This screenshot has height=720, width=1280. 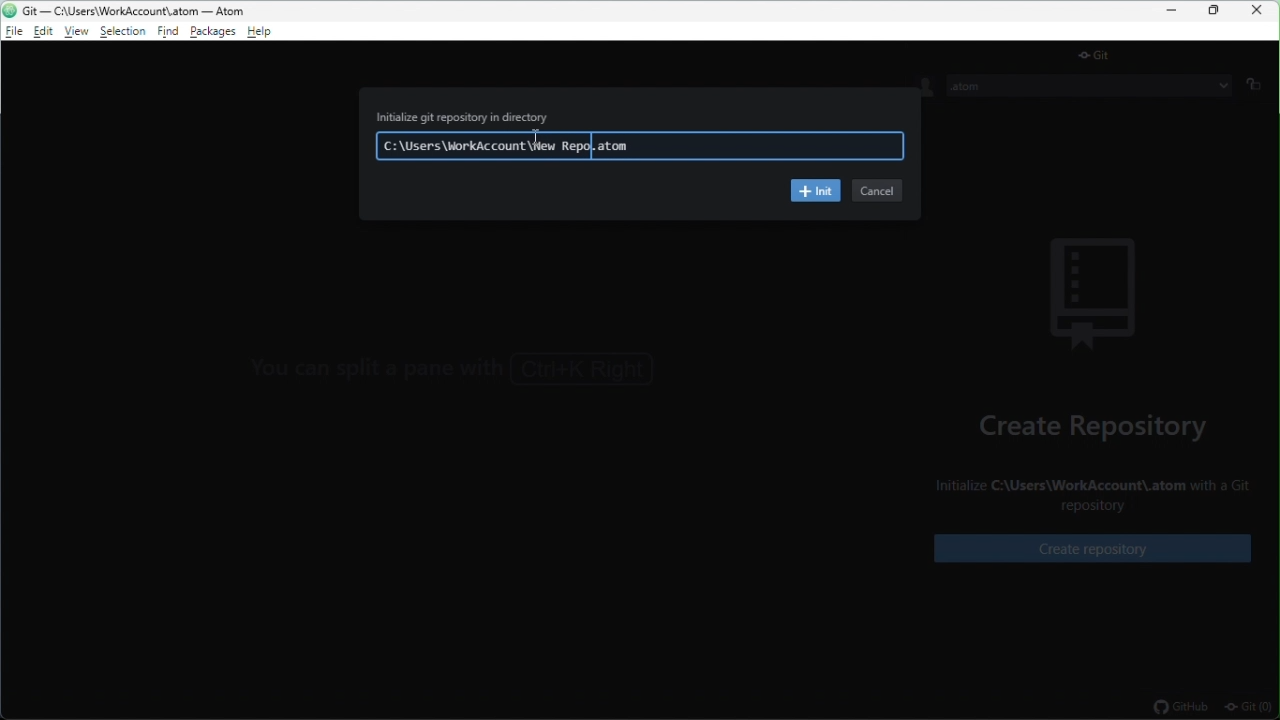 What do you see at coordinates (260, 32) in the screenshot?
I see `help` at bounding box center [260, 32].